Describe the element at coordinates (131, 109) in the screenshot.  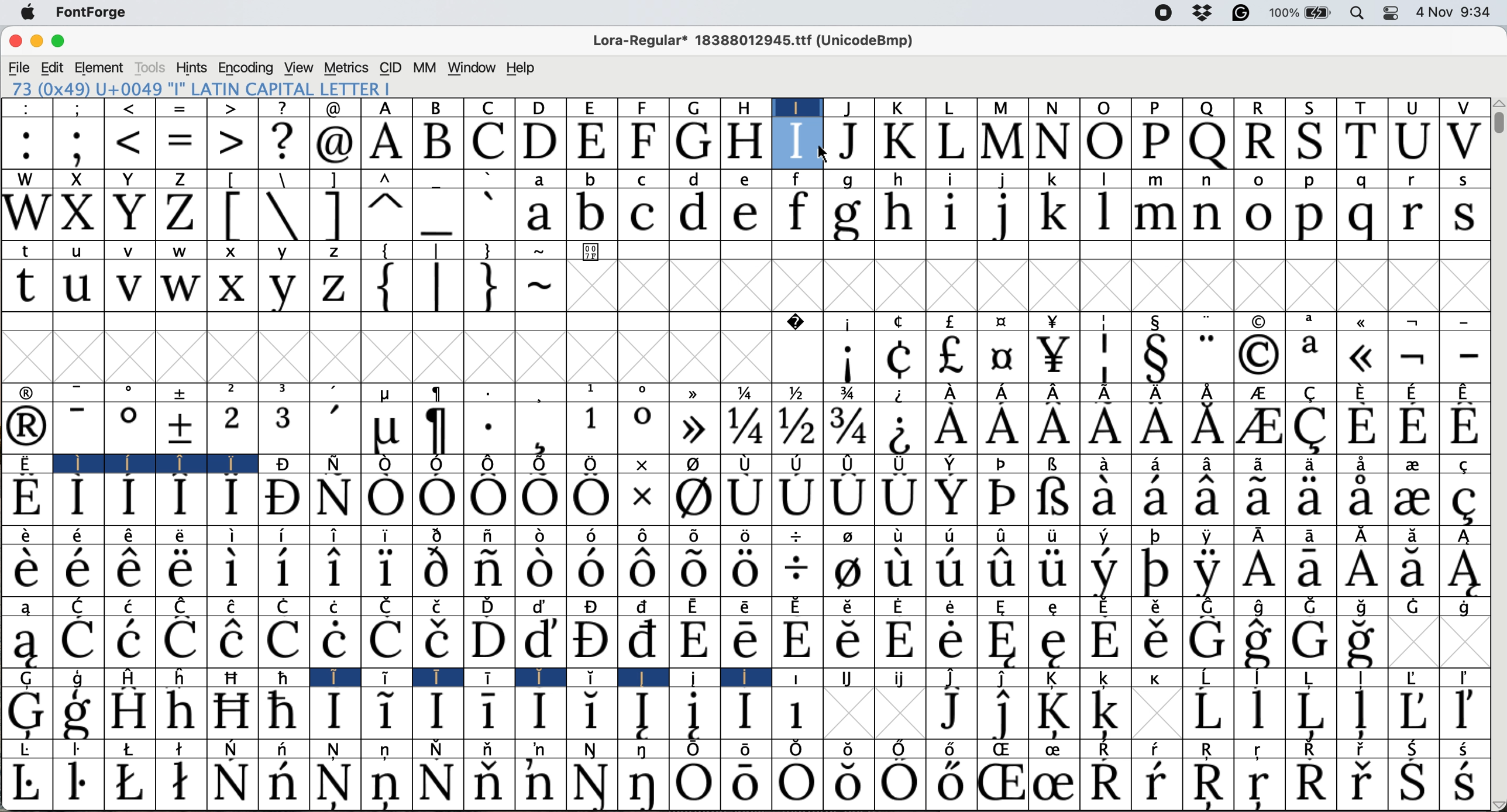
I see `<` at that location.